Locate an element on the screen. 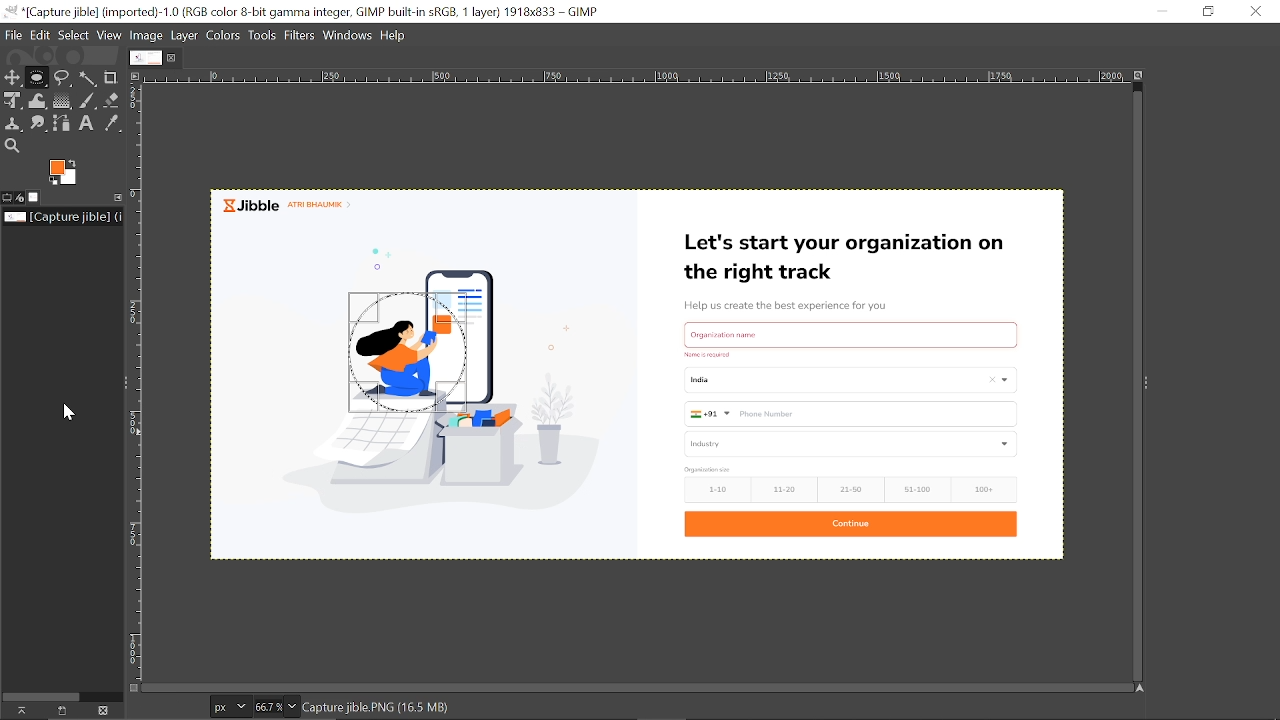  Windows is located at coordinates (349, 35).